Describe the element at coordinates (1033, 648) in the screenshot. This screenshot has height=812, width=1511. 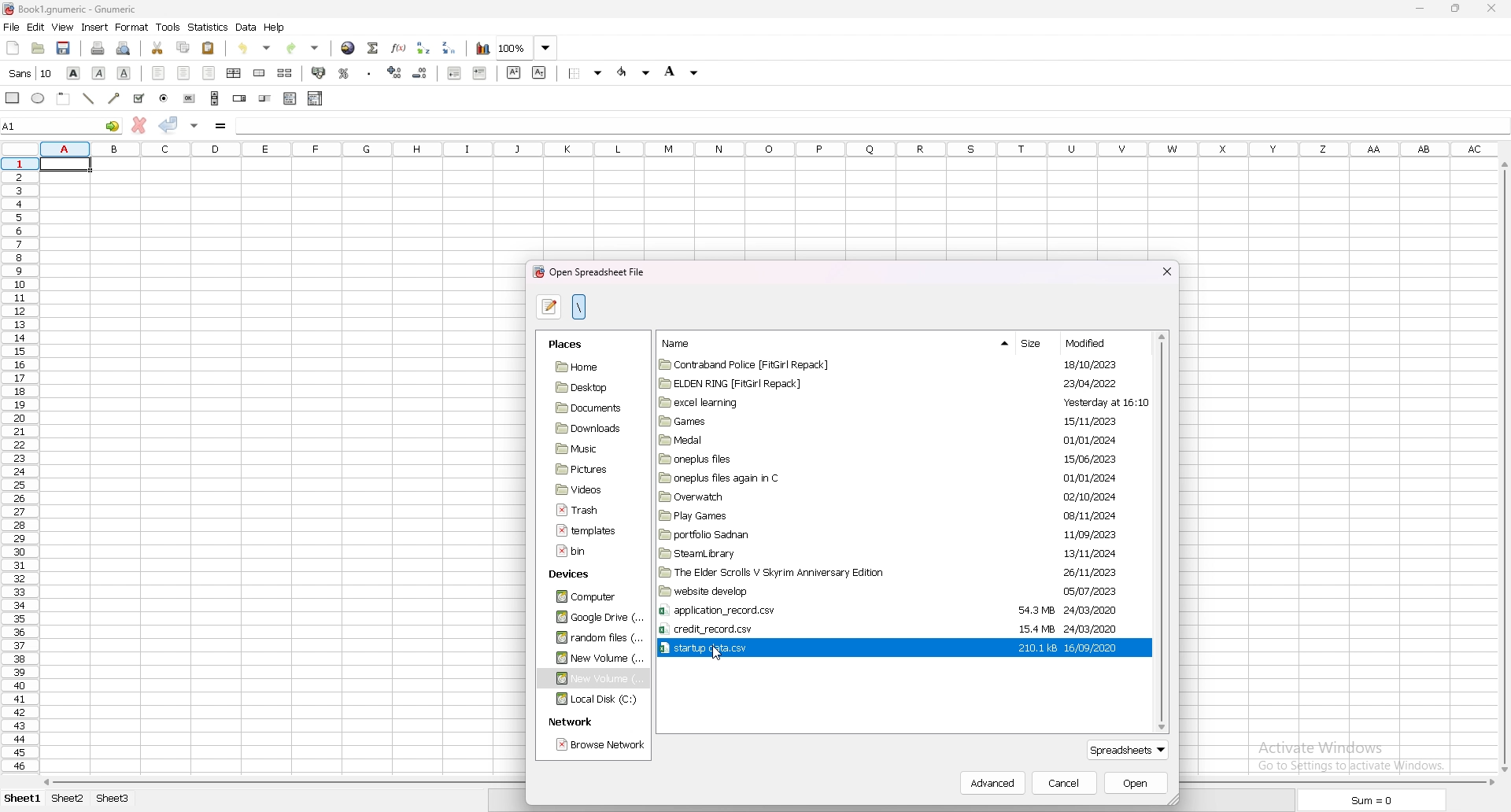
I see `210.1 ks` at that location.